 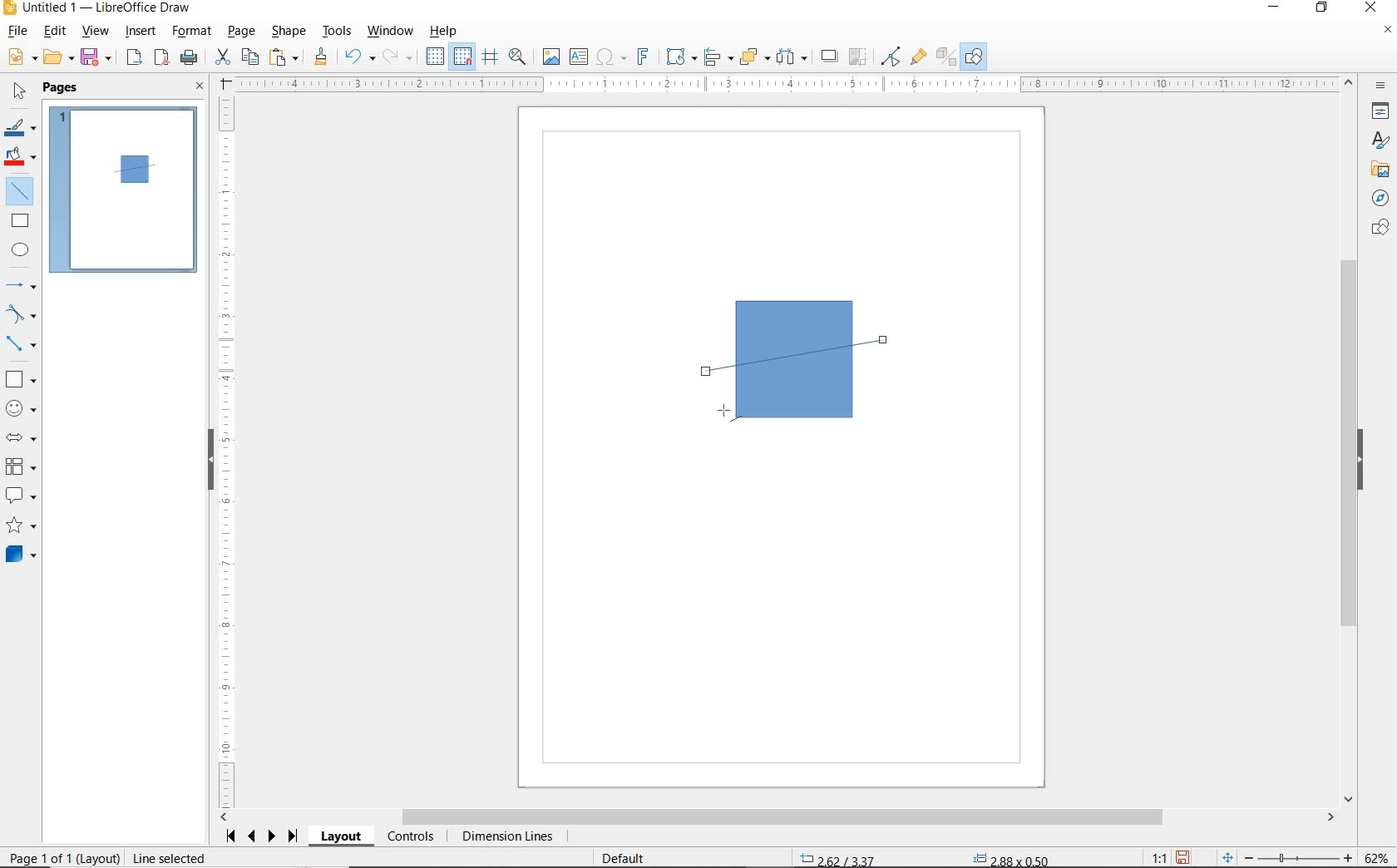 What do you see at coordinates (578, 57) in the screenshot?
I see `INSERT TEXT BOX` at bounding box center [578, 57].